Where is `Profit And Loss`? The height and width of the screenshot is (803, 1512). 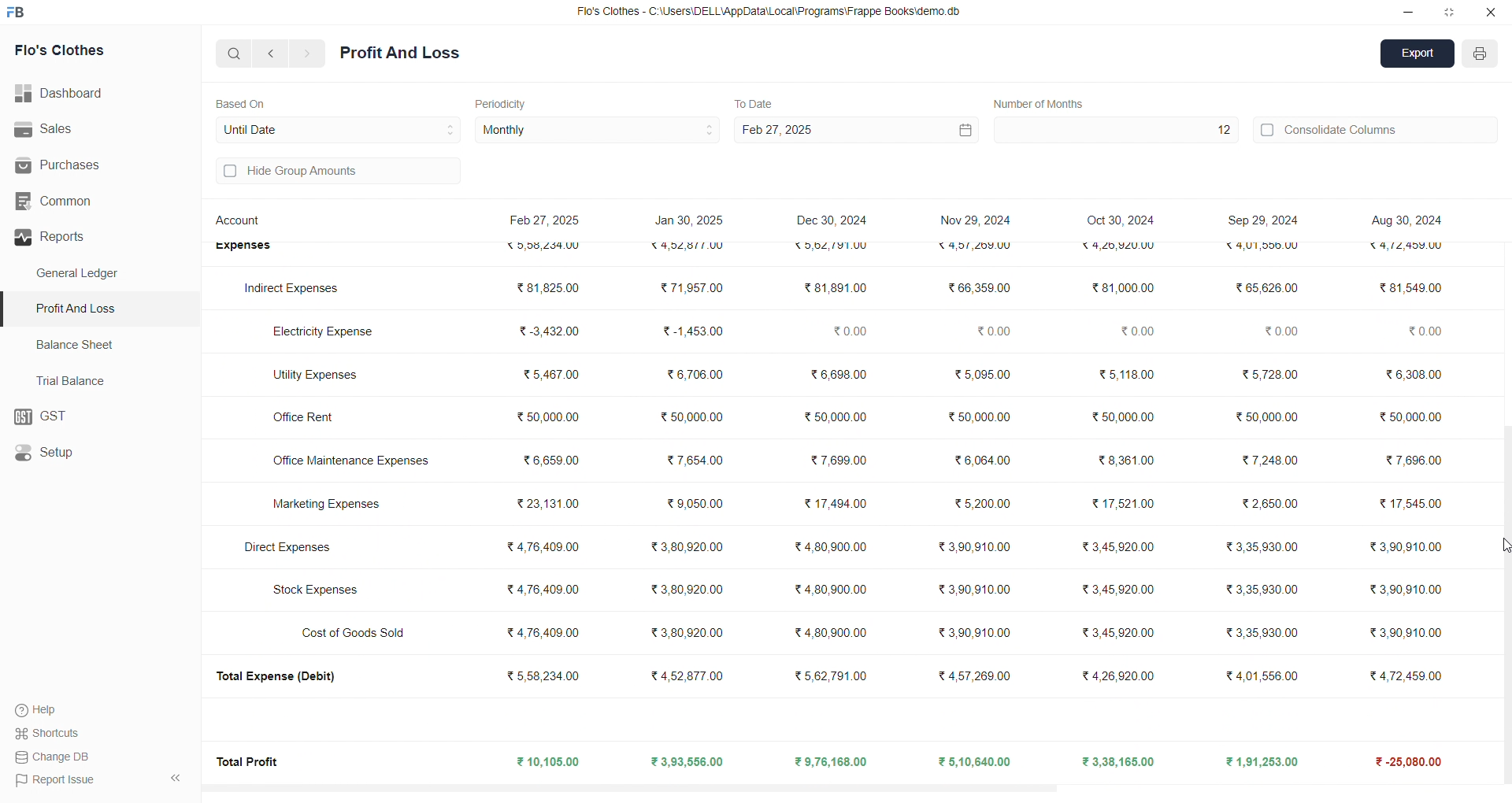
Profit And Loss is located at coordinates (103, 308).